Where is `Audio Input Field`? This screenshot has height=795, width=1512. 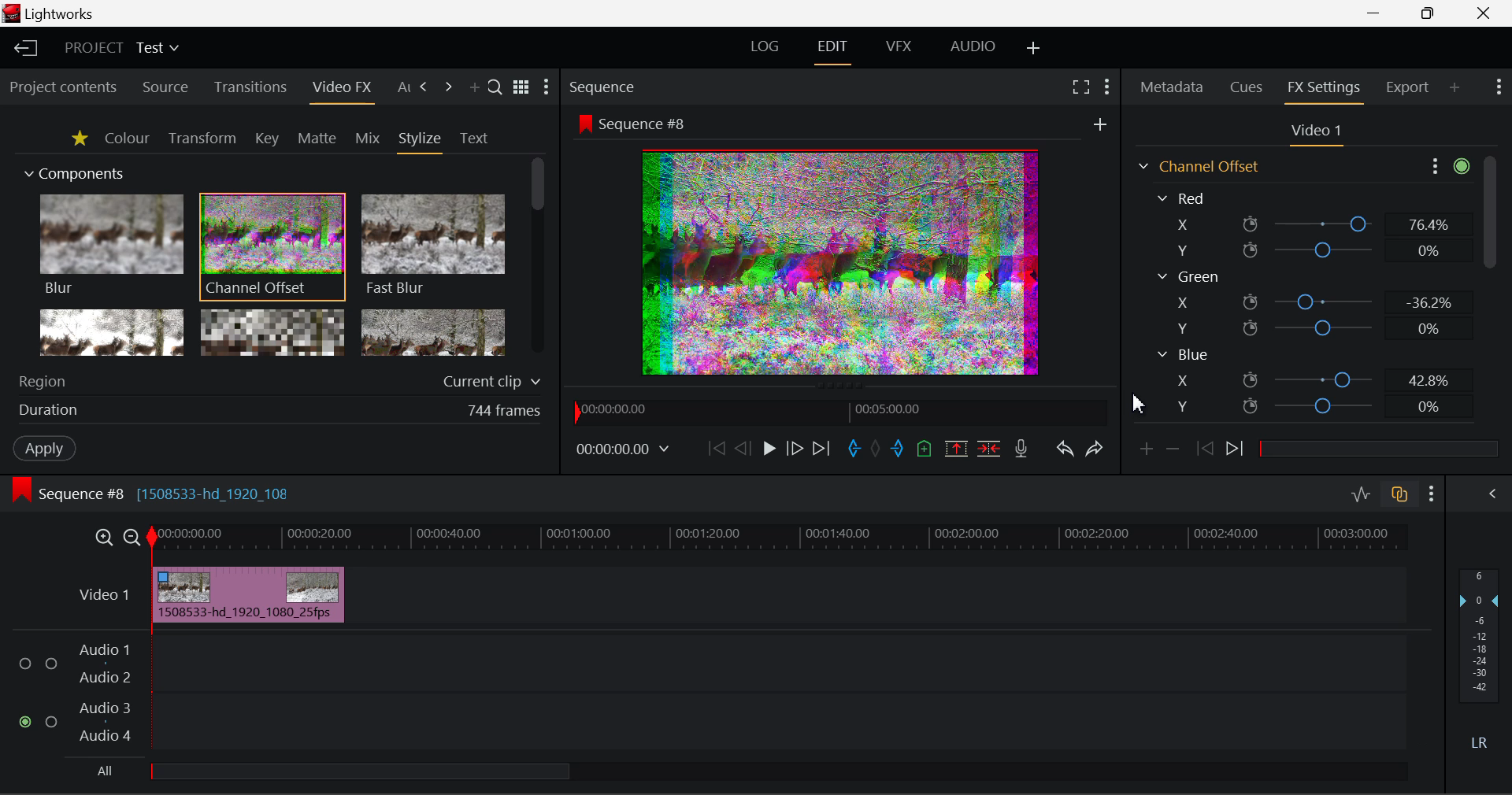 Audio Input Field is located at coordinates (708, 694).